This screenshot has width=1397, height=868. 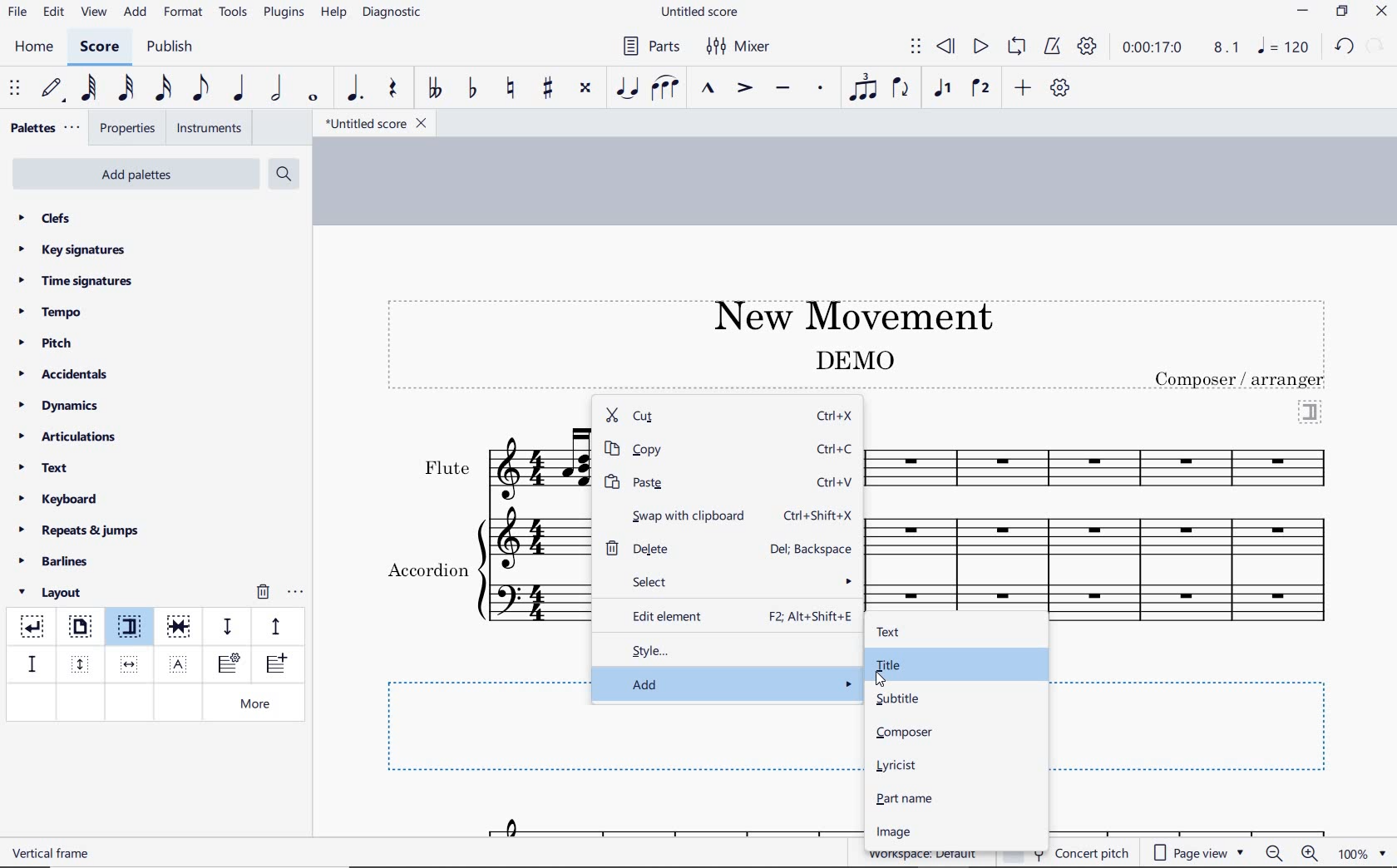 What do you see at coordinates (1061, 89) in the screenshot?
I see `customize toolbar` at bounding box center [1061, 89].